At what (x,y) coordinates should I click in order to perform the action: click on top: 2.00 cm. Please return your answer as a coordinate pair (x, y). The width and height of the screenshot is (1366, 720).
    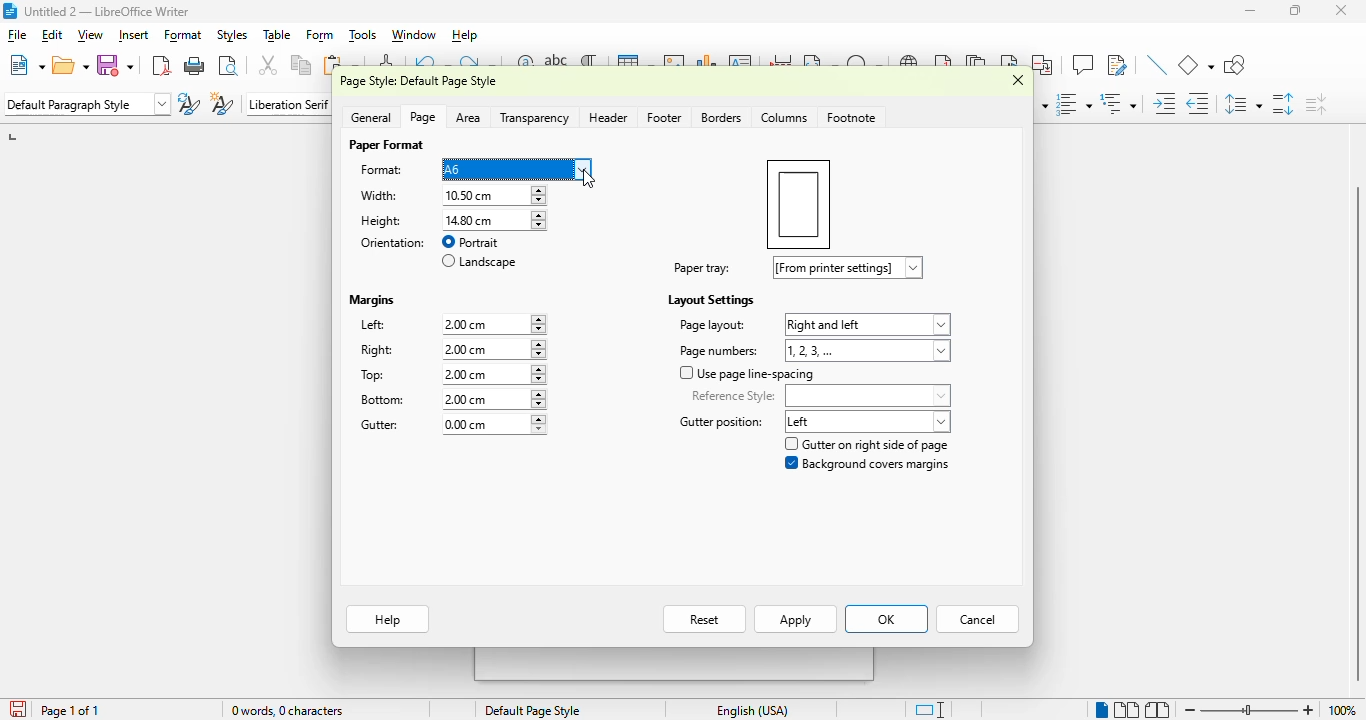
    Looking at the image, I should click on (446, 374).